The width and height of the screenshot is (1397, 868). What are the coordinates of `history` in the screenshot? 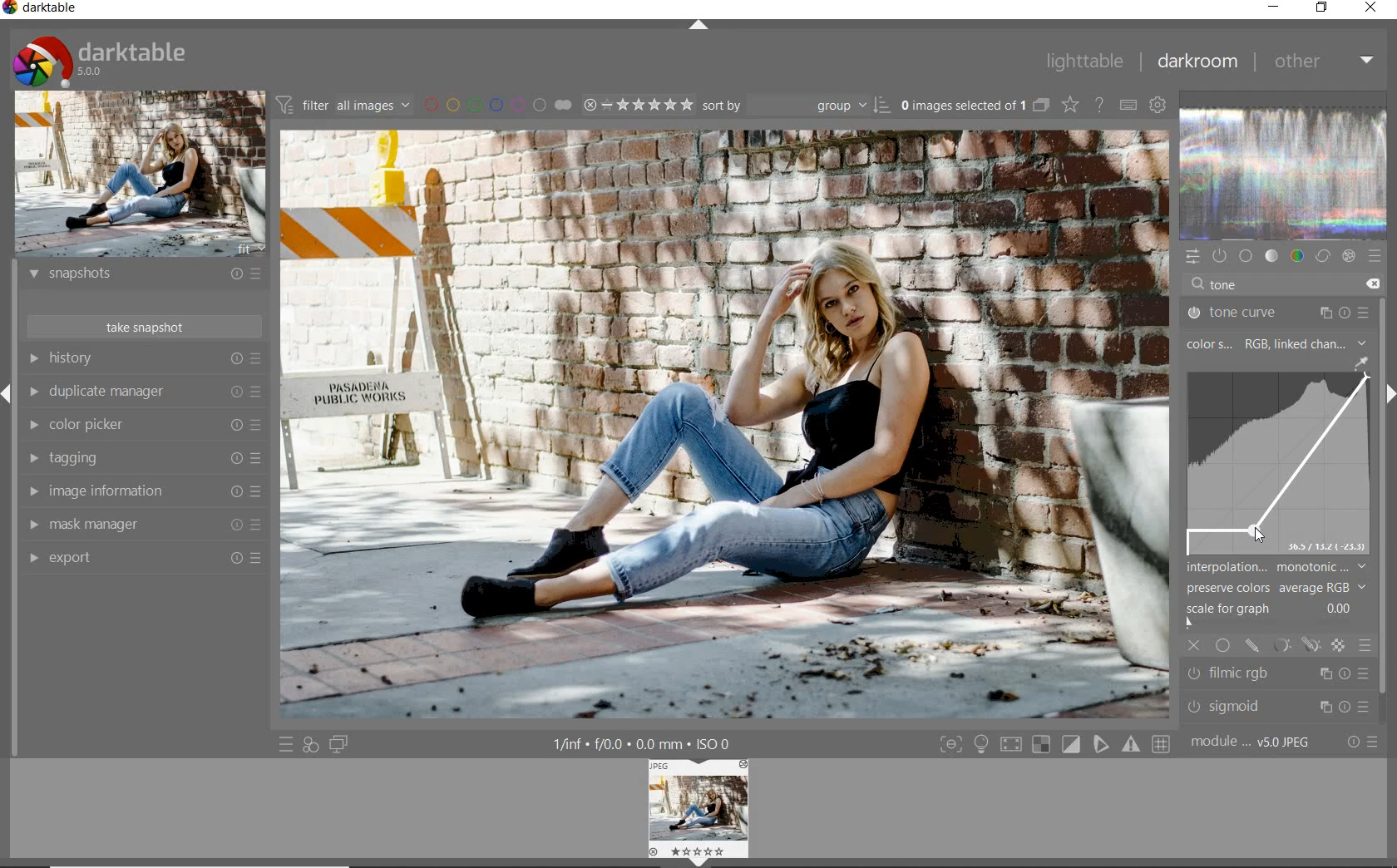 It's located at (144, 361).